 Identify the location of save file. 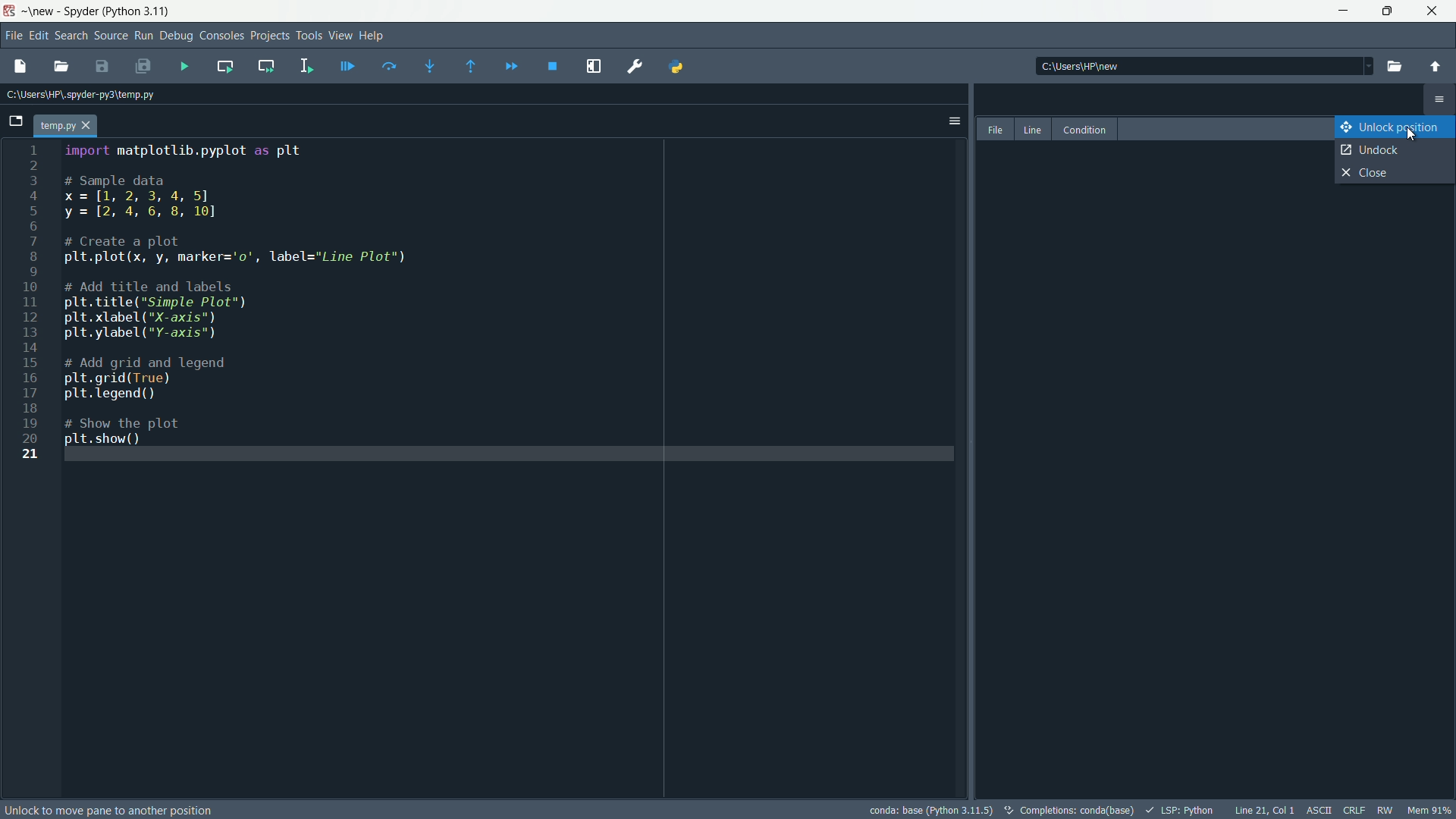
(102, 67).